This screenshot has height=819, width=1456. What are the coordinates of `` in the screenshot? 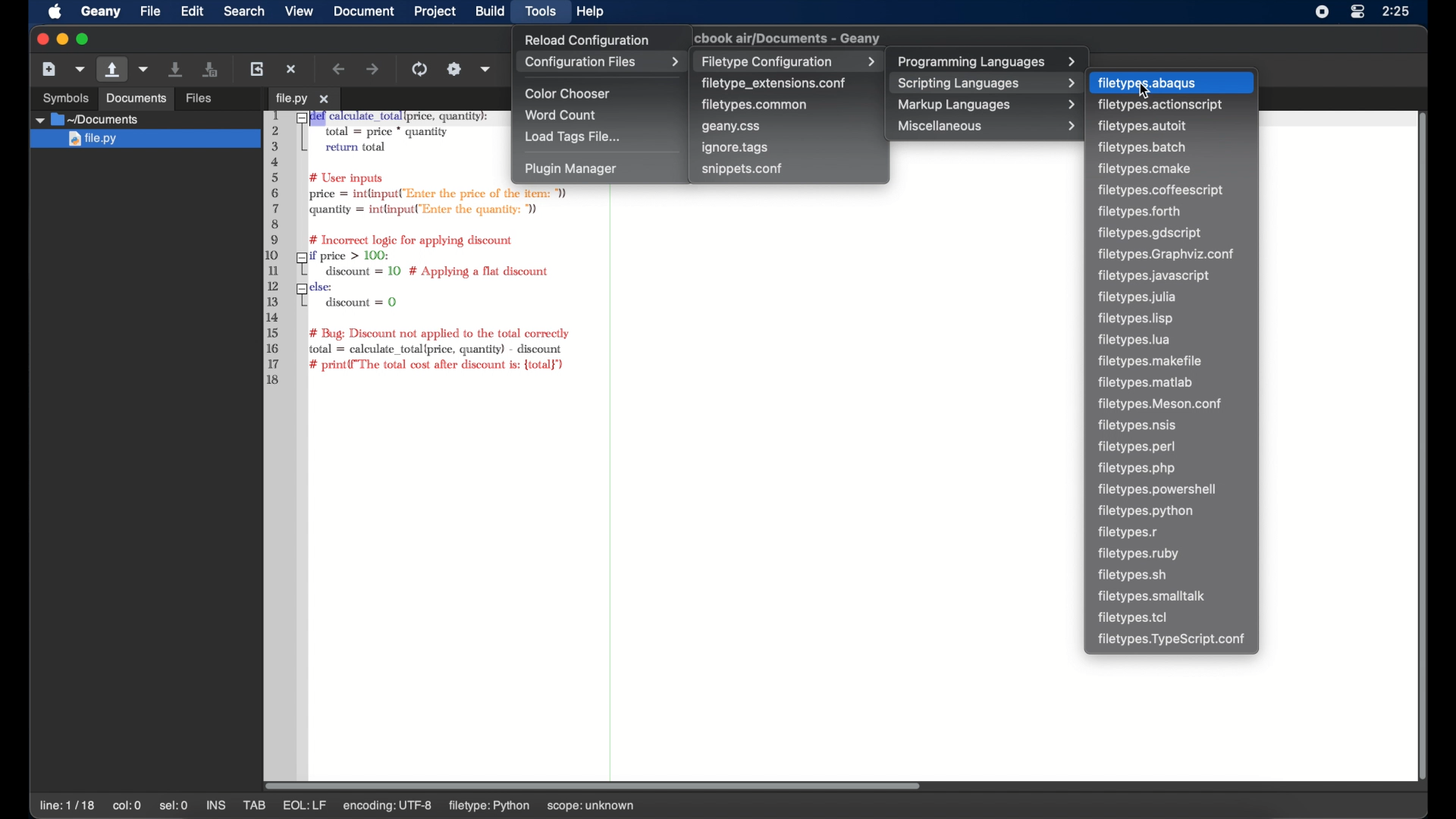 It's located at (59, 96).